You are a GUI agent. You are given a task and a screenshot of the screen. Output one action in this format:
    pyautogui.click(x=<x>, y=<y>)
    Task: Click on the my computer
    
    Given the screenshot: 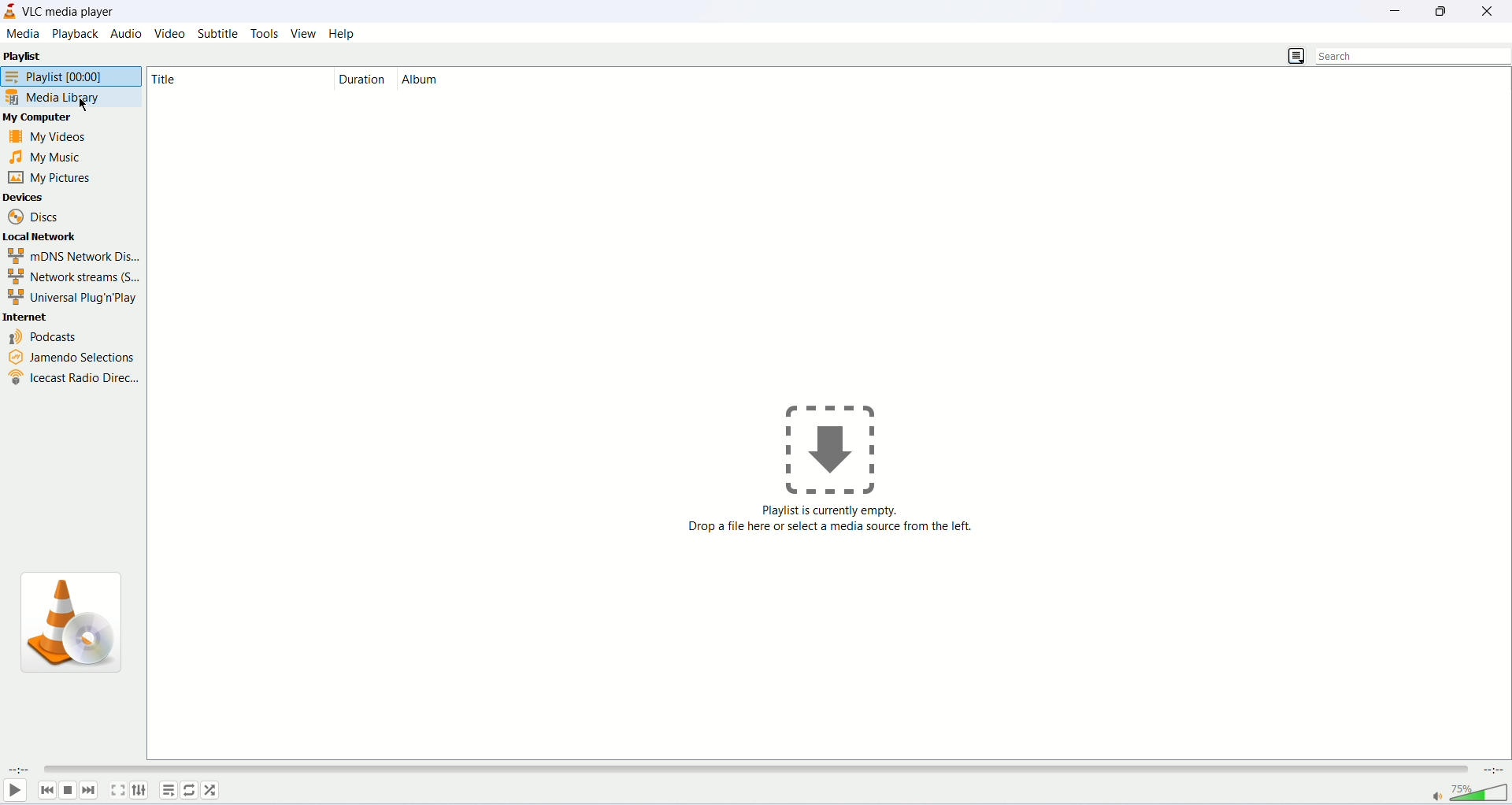 What is the action you would take?
    pyautogui.click(x=42, y=119)
    